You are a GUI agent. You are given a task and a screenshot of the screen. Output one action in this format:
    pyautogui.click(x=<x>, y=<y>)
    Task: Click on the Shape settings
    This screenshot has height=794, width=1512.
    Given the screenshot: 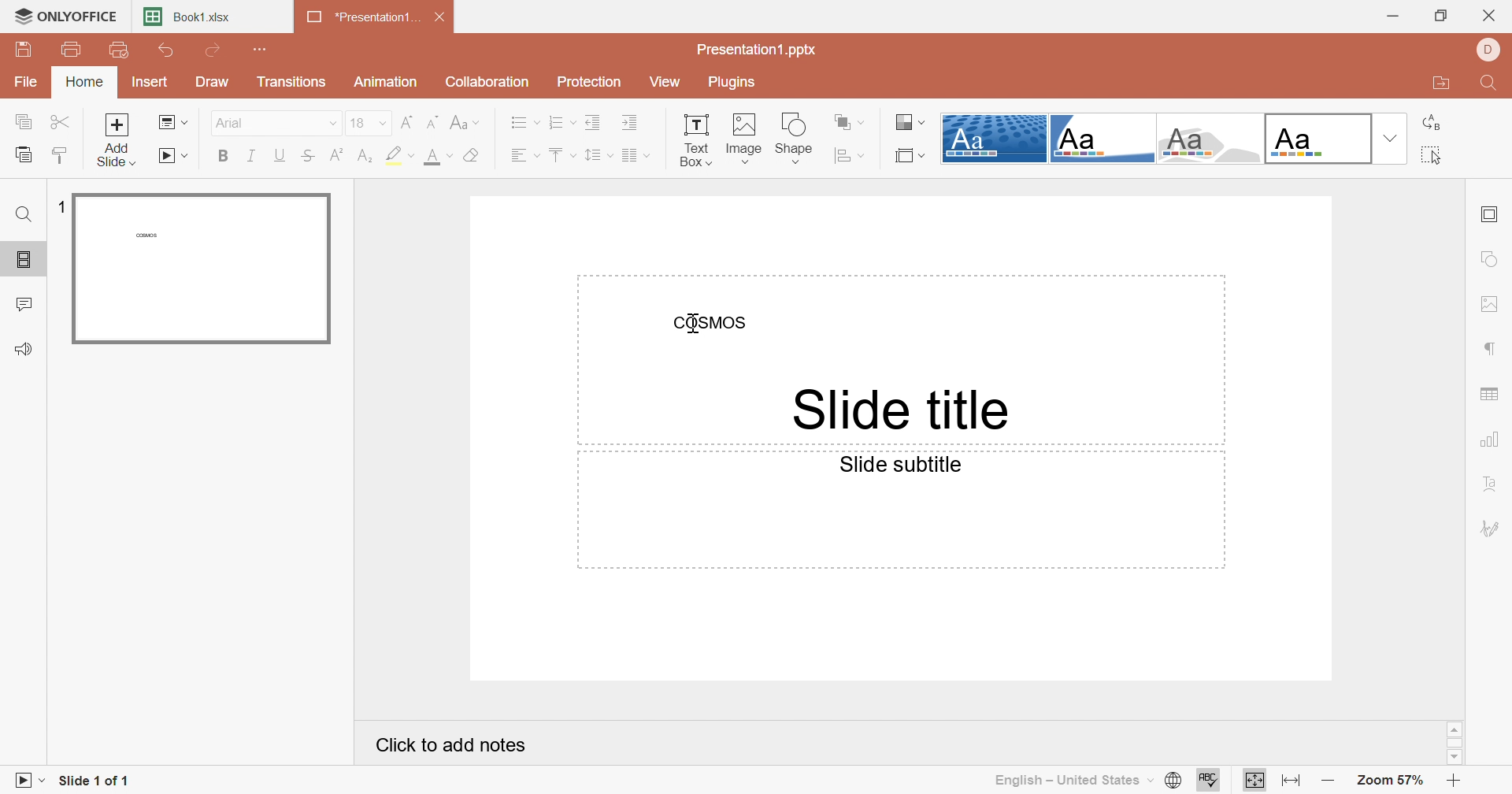 What is the action you would take?
    pyautogui.click(x=1492, y=258)
    